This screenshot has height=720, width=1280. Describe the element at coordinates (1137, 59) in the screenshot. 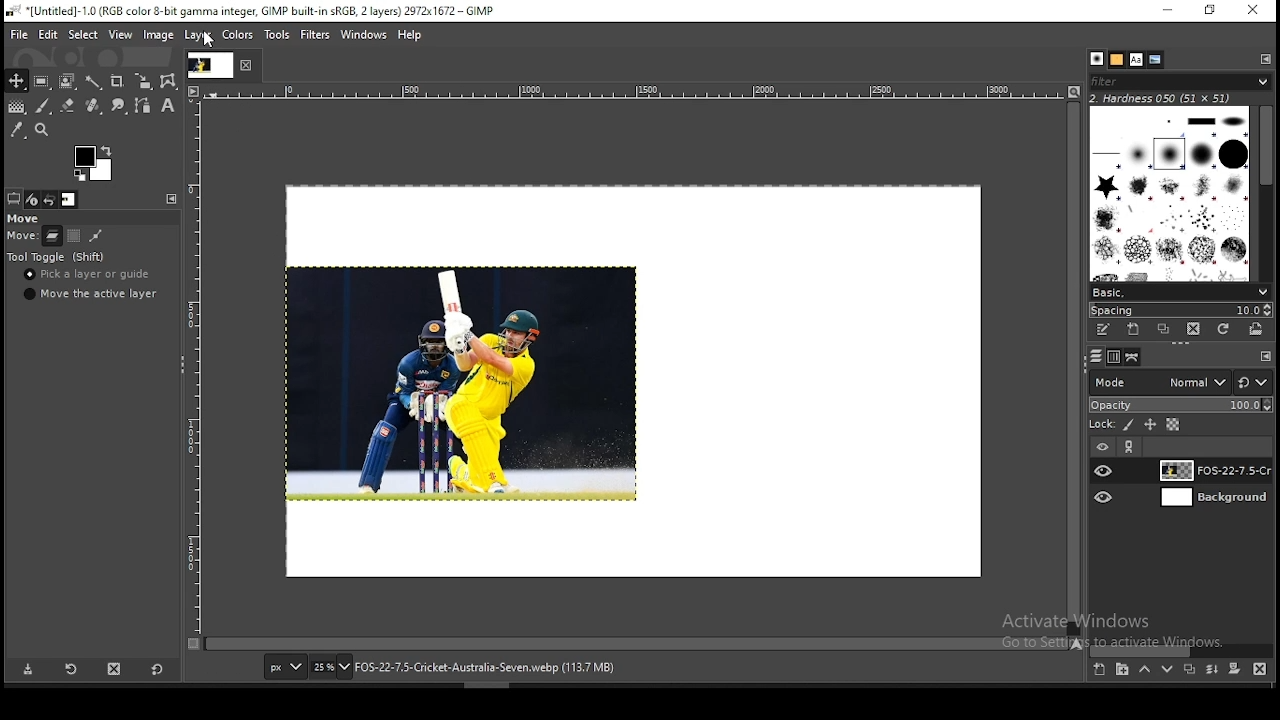

I see `fonts` at that location.